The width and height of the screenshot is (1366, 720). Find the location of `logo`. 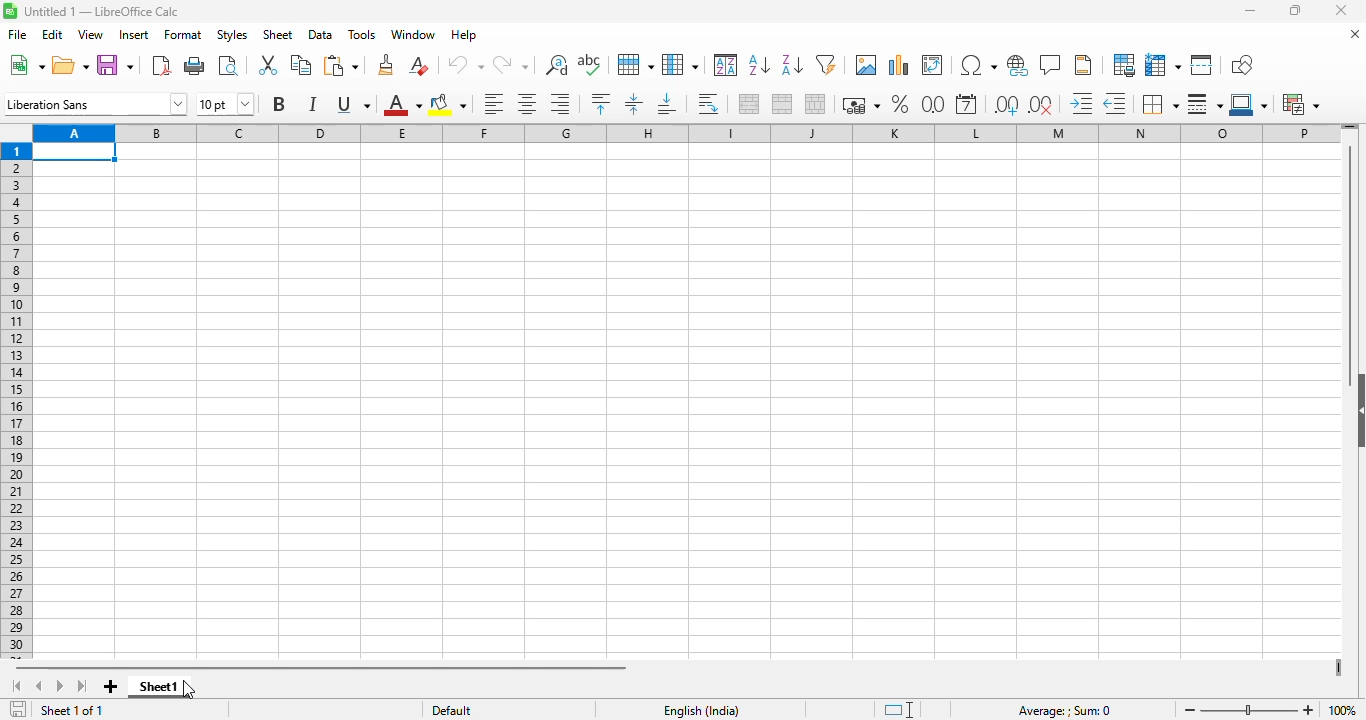

logo is located at coordinates (10, 12).